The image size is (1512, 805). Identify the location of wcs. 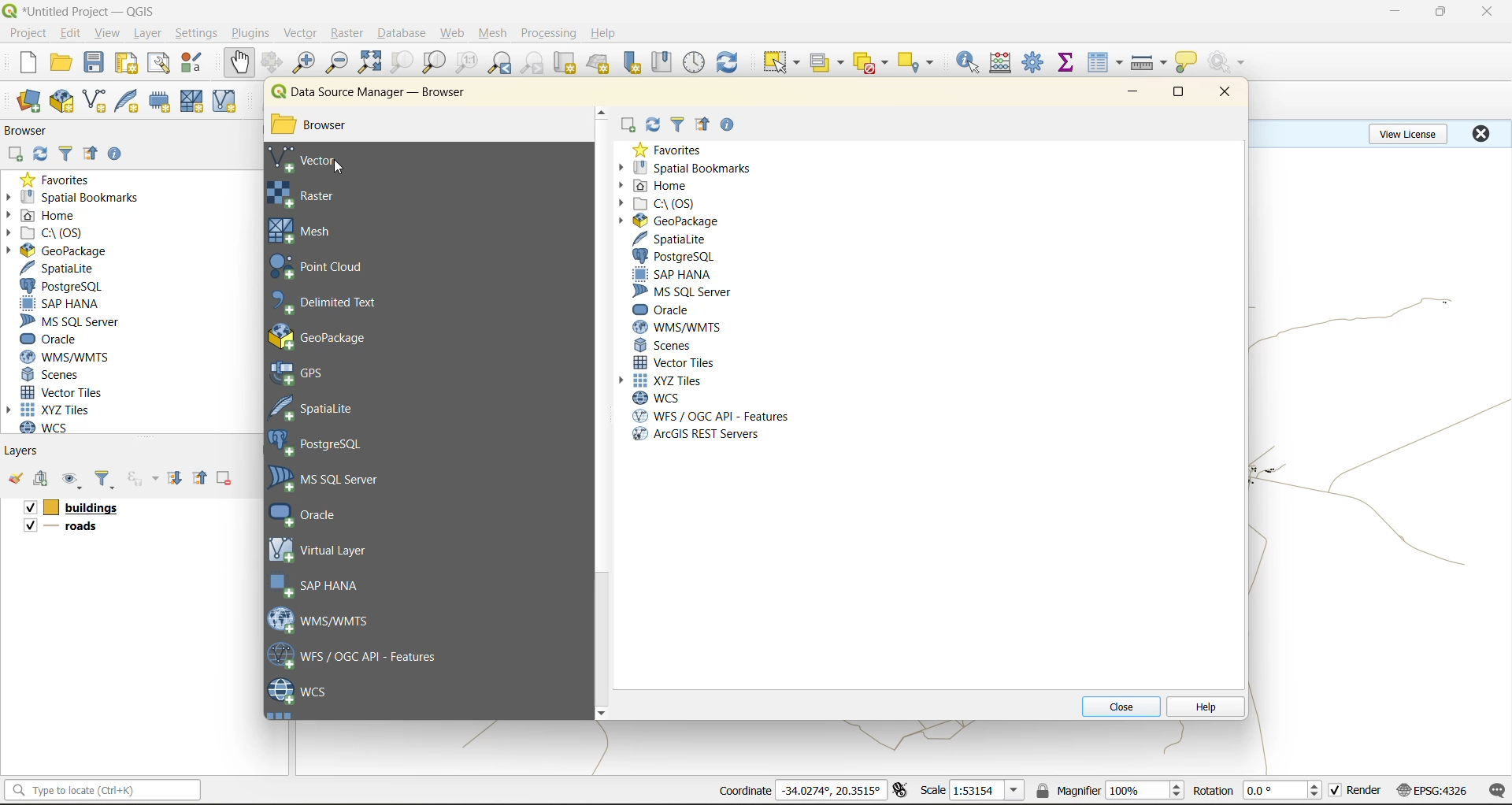
(299, 692).